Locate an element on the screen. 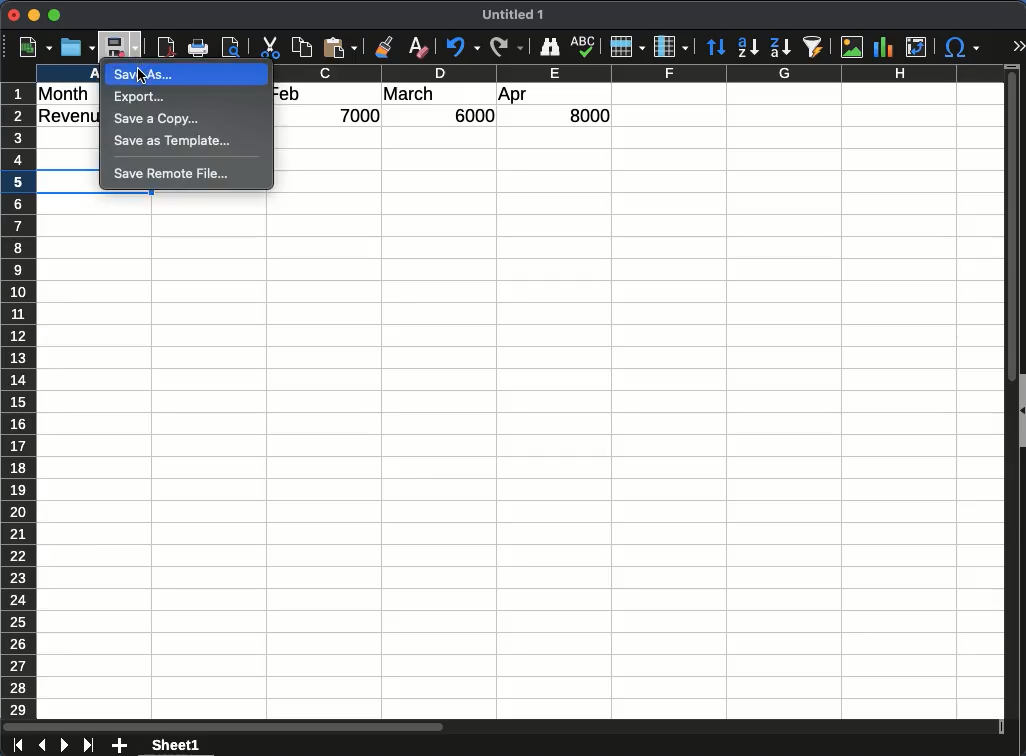 The height and width of the screenshot is (756, 1026). special characters is located at coordinates (962, 48).